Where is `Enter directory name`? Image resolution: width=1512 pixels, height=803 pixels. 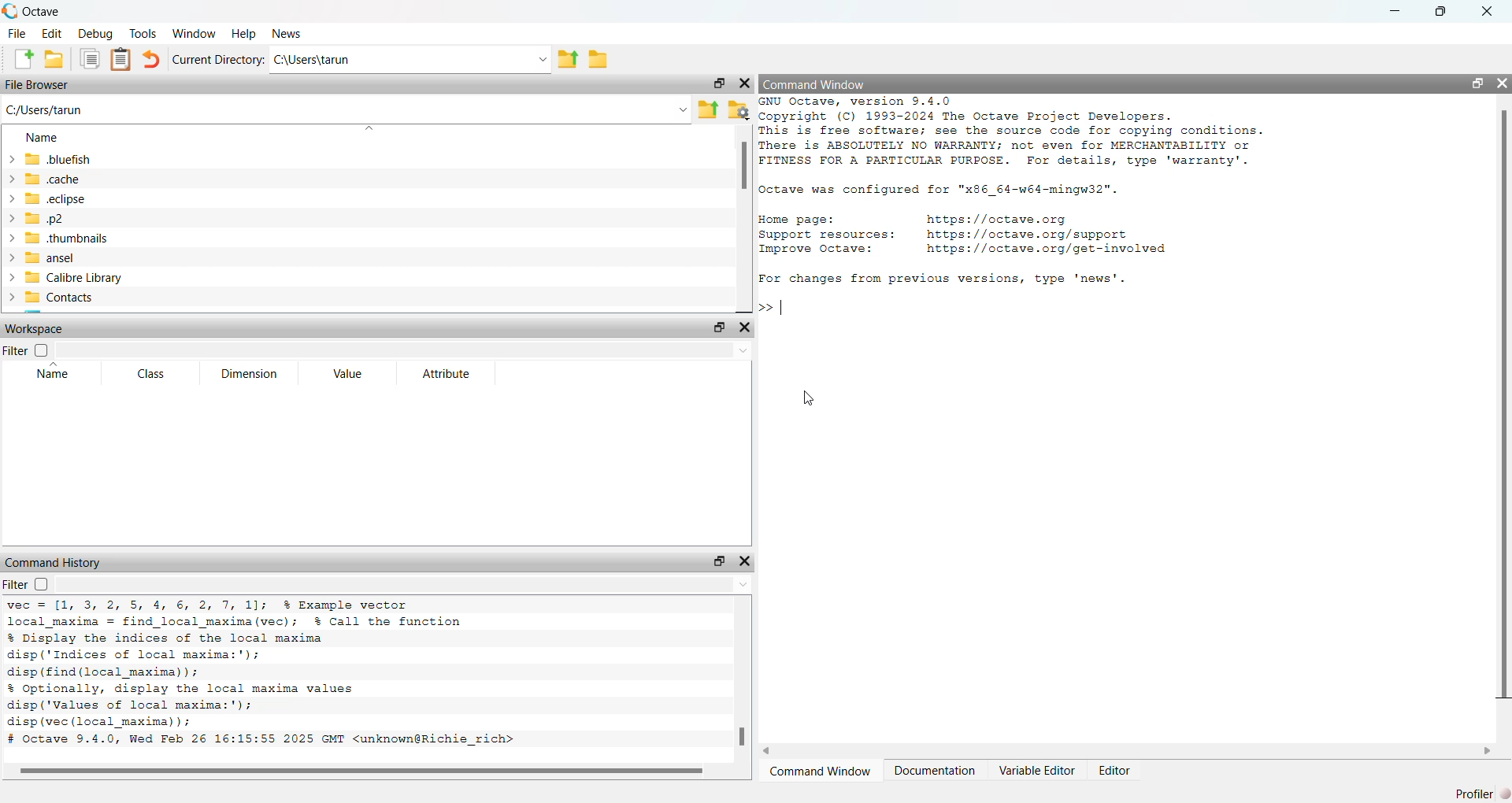 Enter directory name is located at coordinates (543, 58).